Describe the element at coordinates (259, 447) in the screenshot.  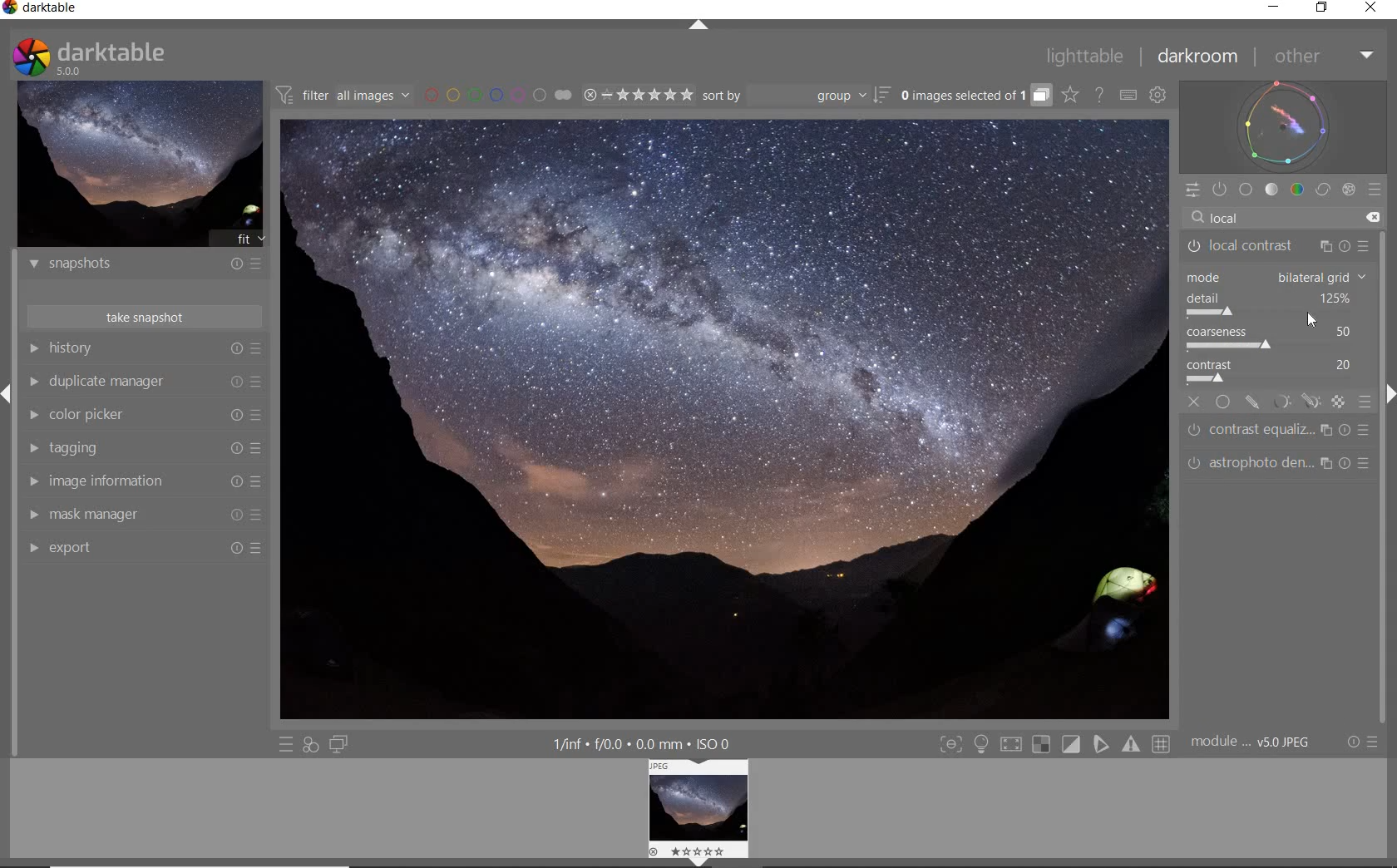
I see `Presets and preferences` at that location.